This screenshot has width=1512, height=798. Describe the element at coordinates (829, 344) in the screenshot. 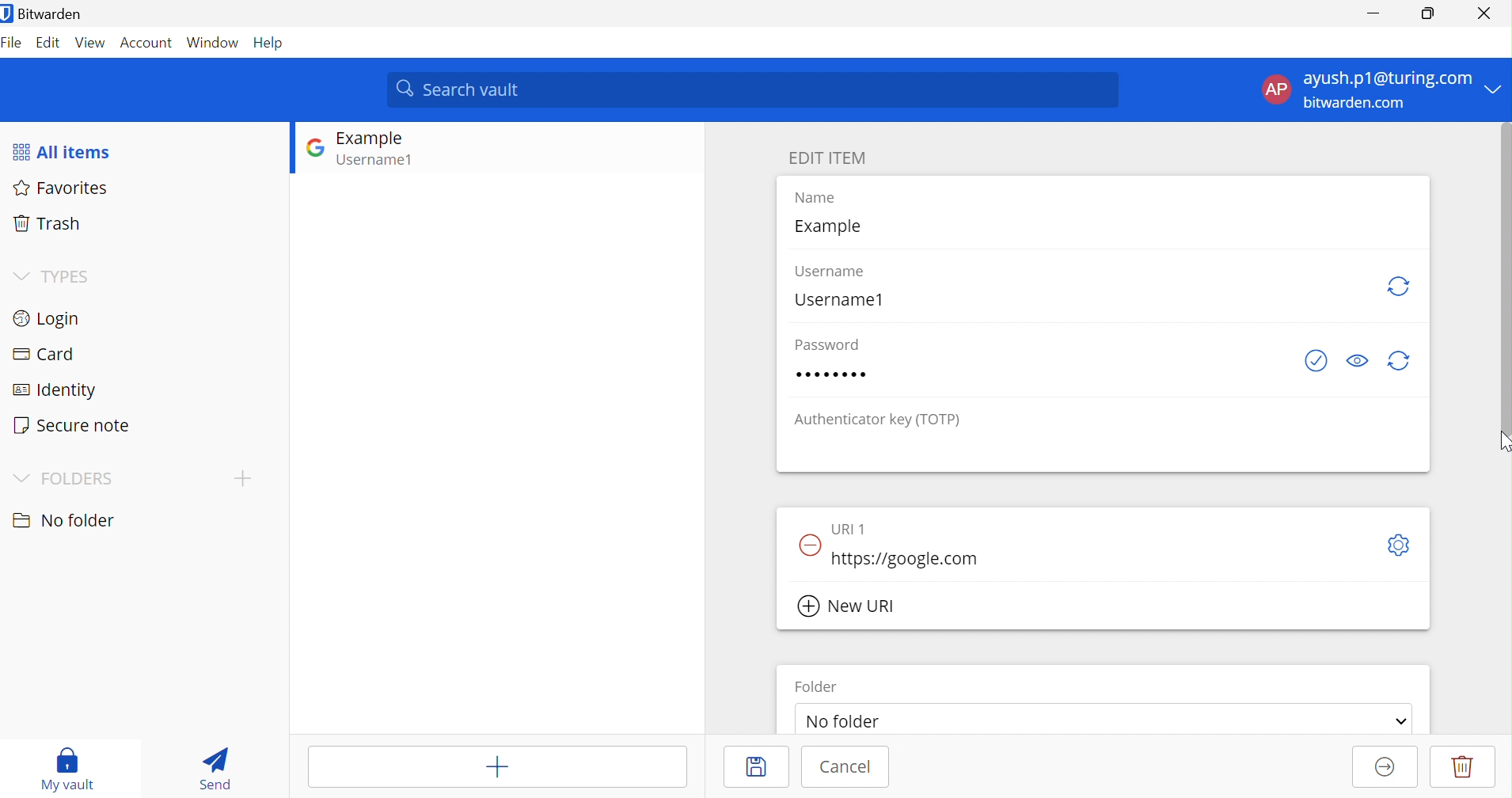

I see `Password` at that location.